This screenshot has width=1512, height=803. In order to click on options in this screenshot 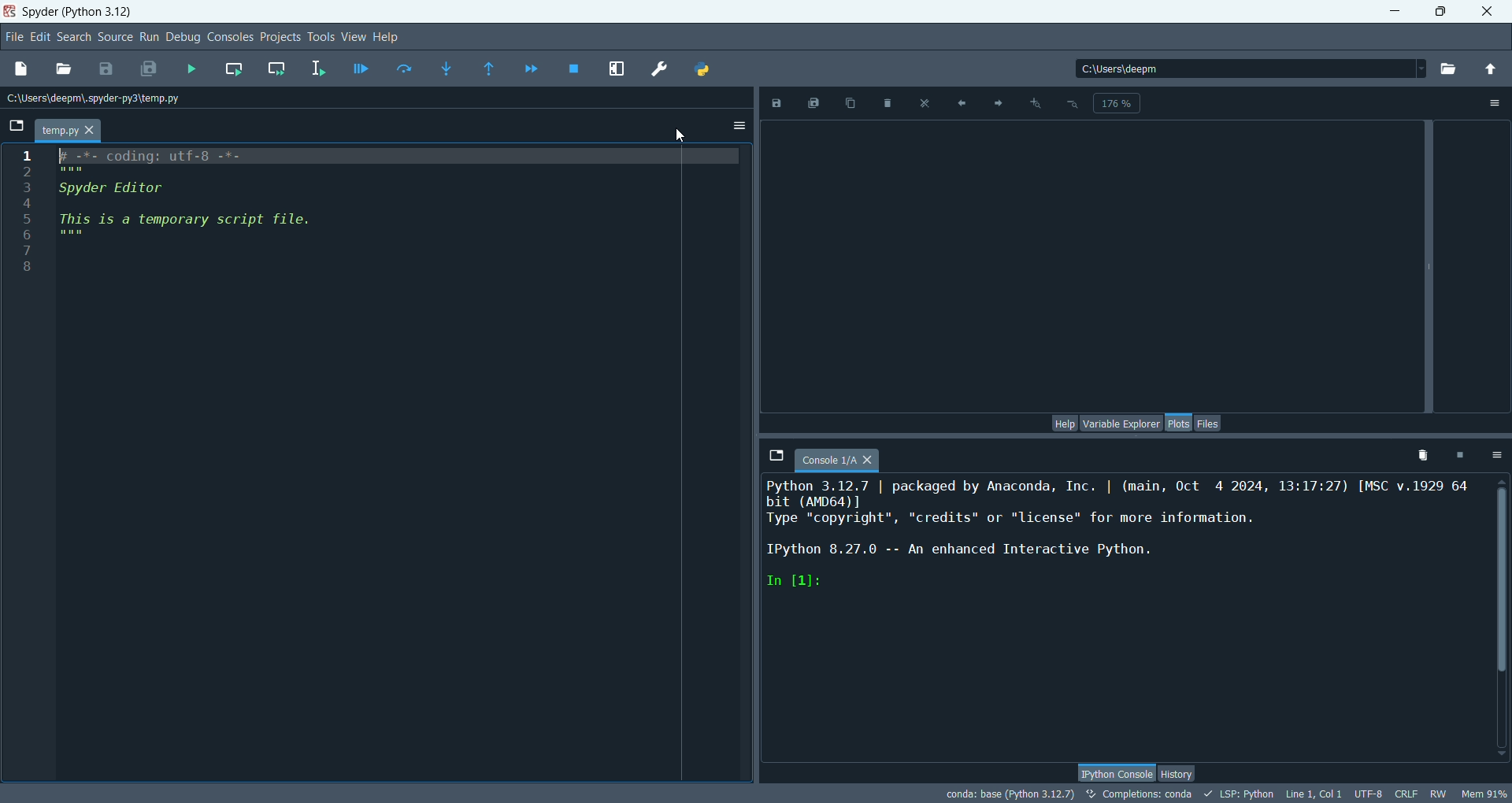, I will do `click(1495, 455)`.